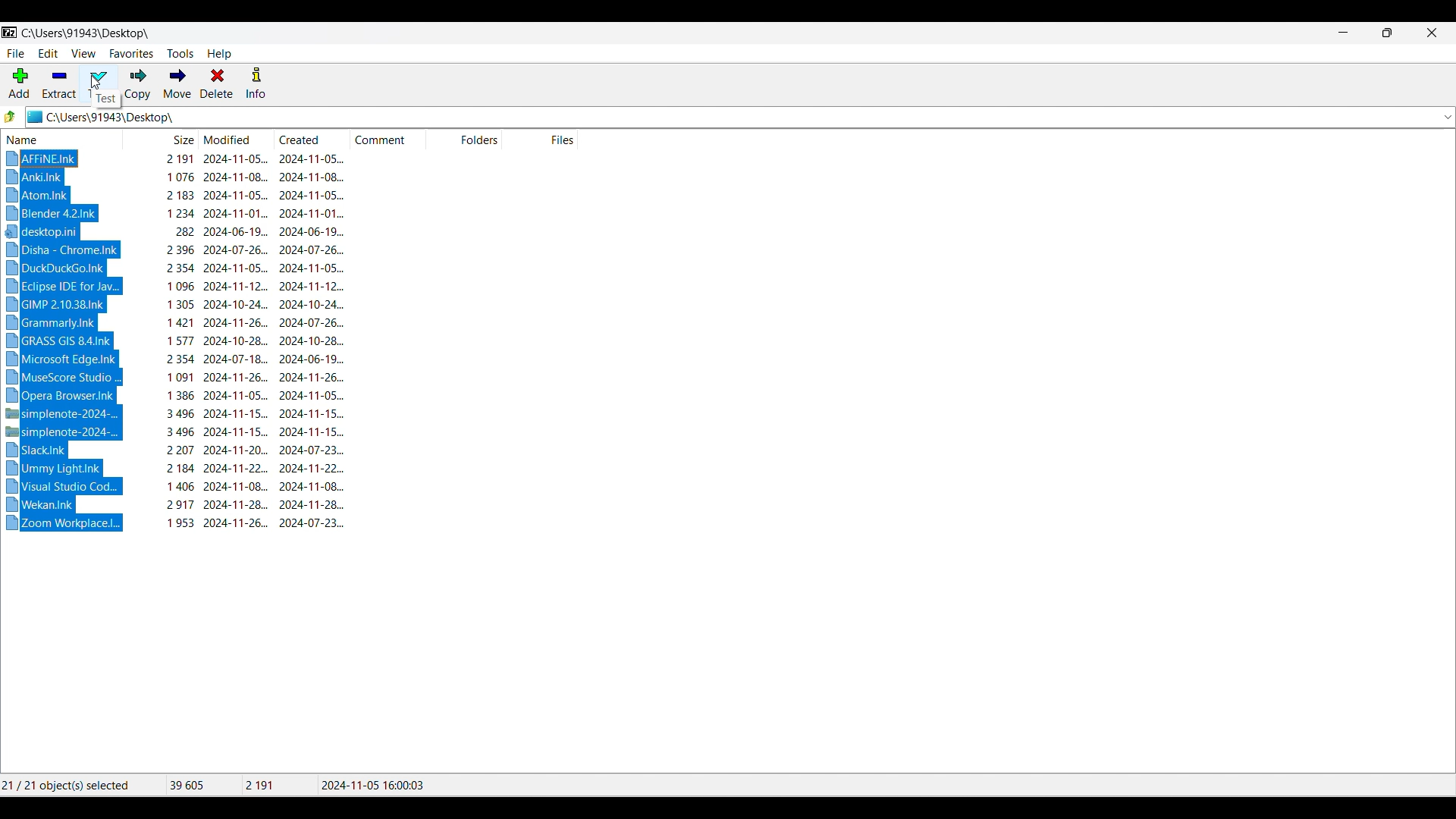 The image size is (1456, 819). What do you see at coordinates (387, 139) in the screenshot?
I see `Comment column` at bounding box center [387, 139].